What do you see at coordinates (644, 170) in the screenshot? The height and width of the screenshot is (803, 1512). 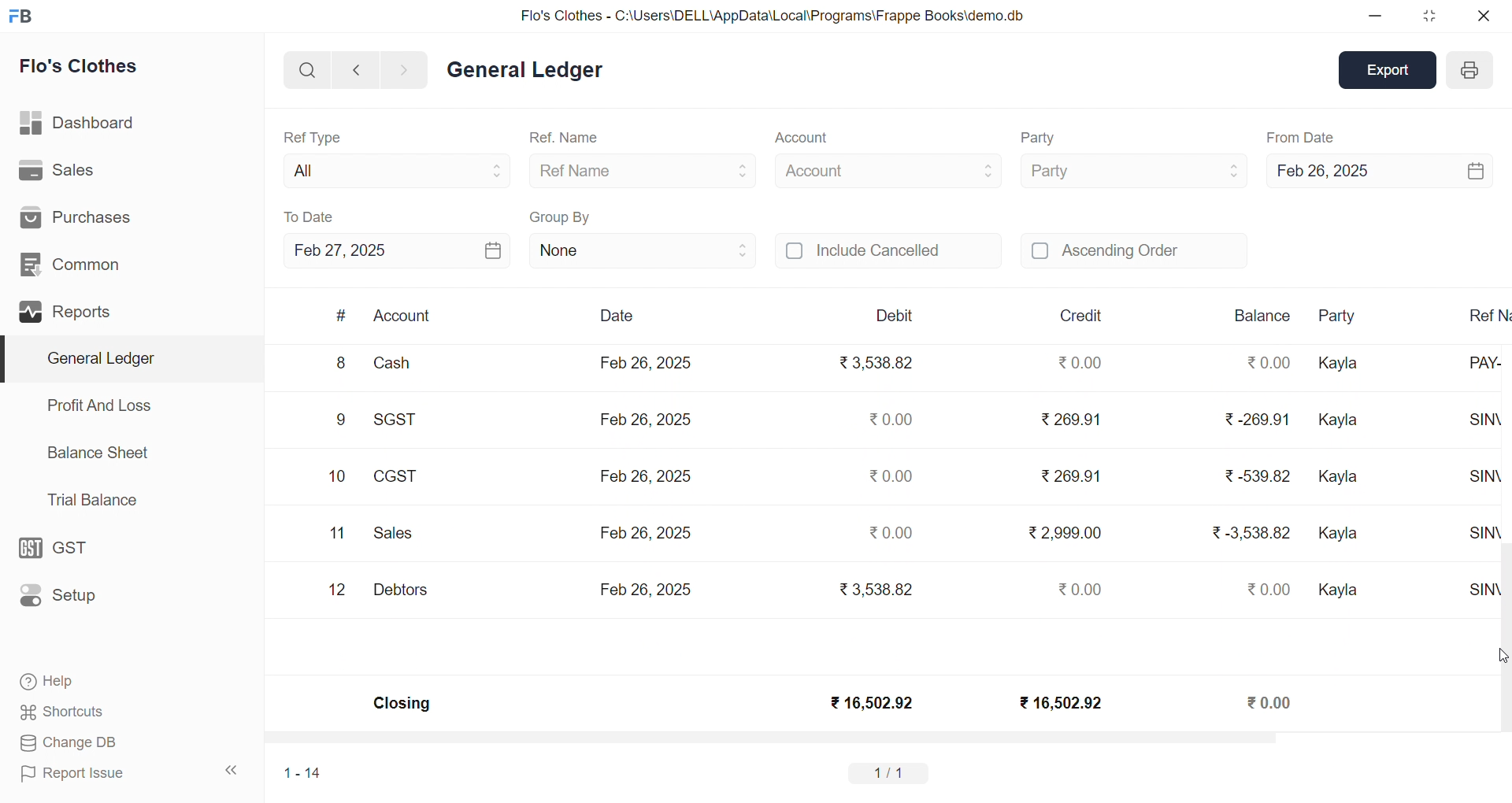 I see `Ref Name` at bounding box center [644, 170].